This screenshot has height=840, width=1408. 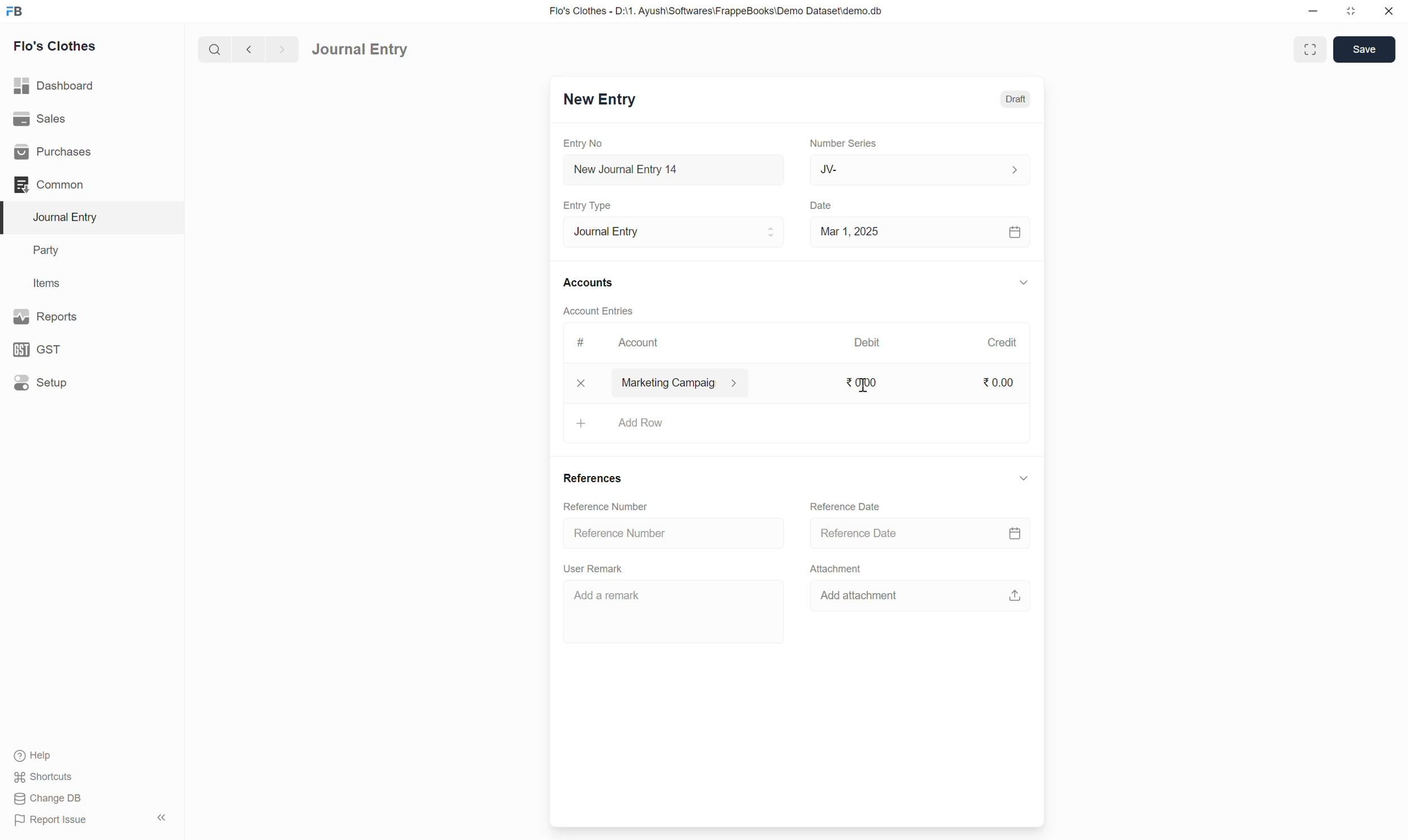 I want to click on Credit, so click(x=1002, y=342).